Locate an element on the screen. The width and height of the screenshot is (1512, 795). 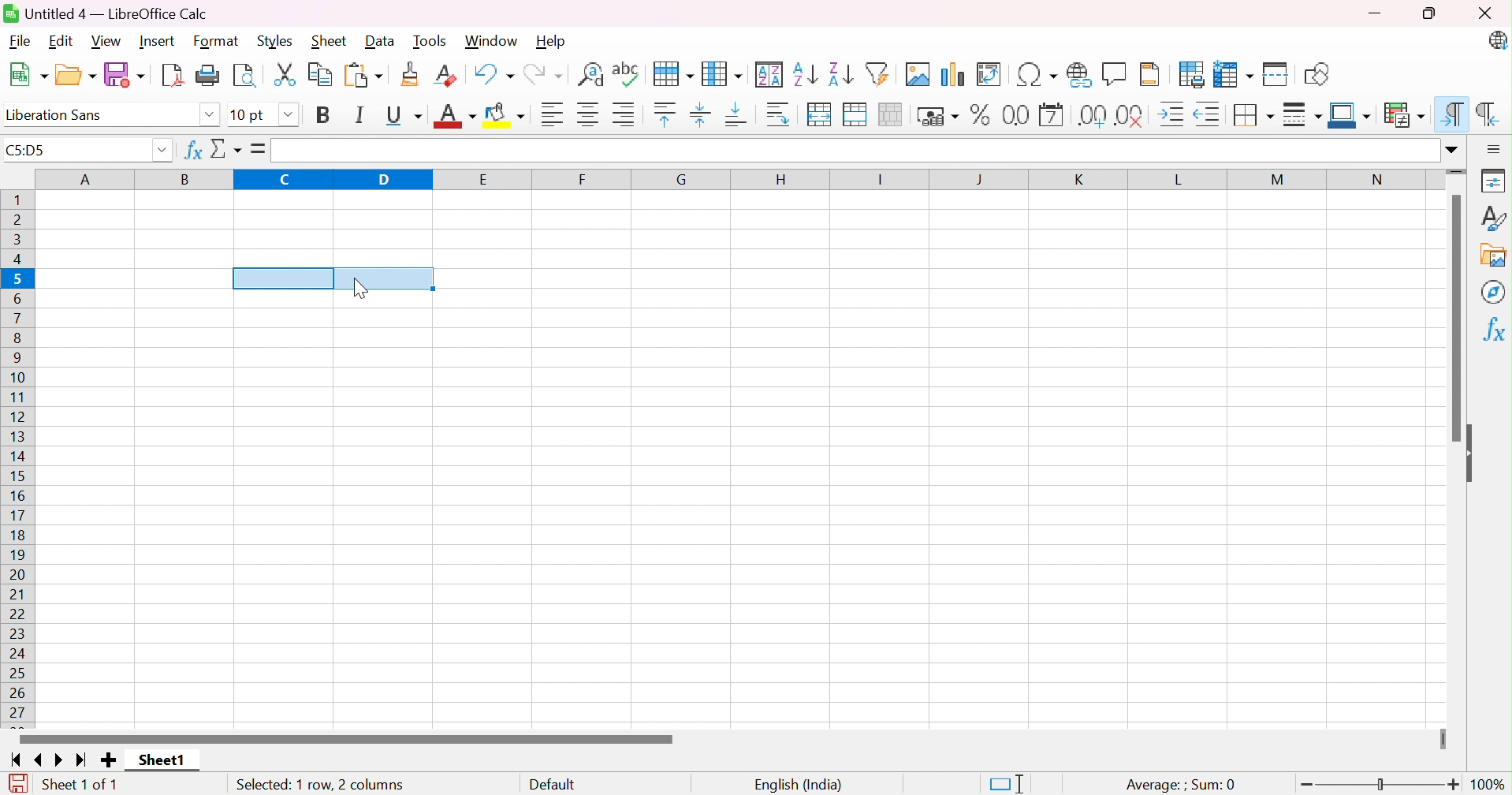
Scroll to next sheet is located at coordinates (63, 762).